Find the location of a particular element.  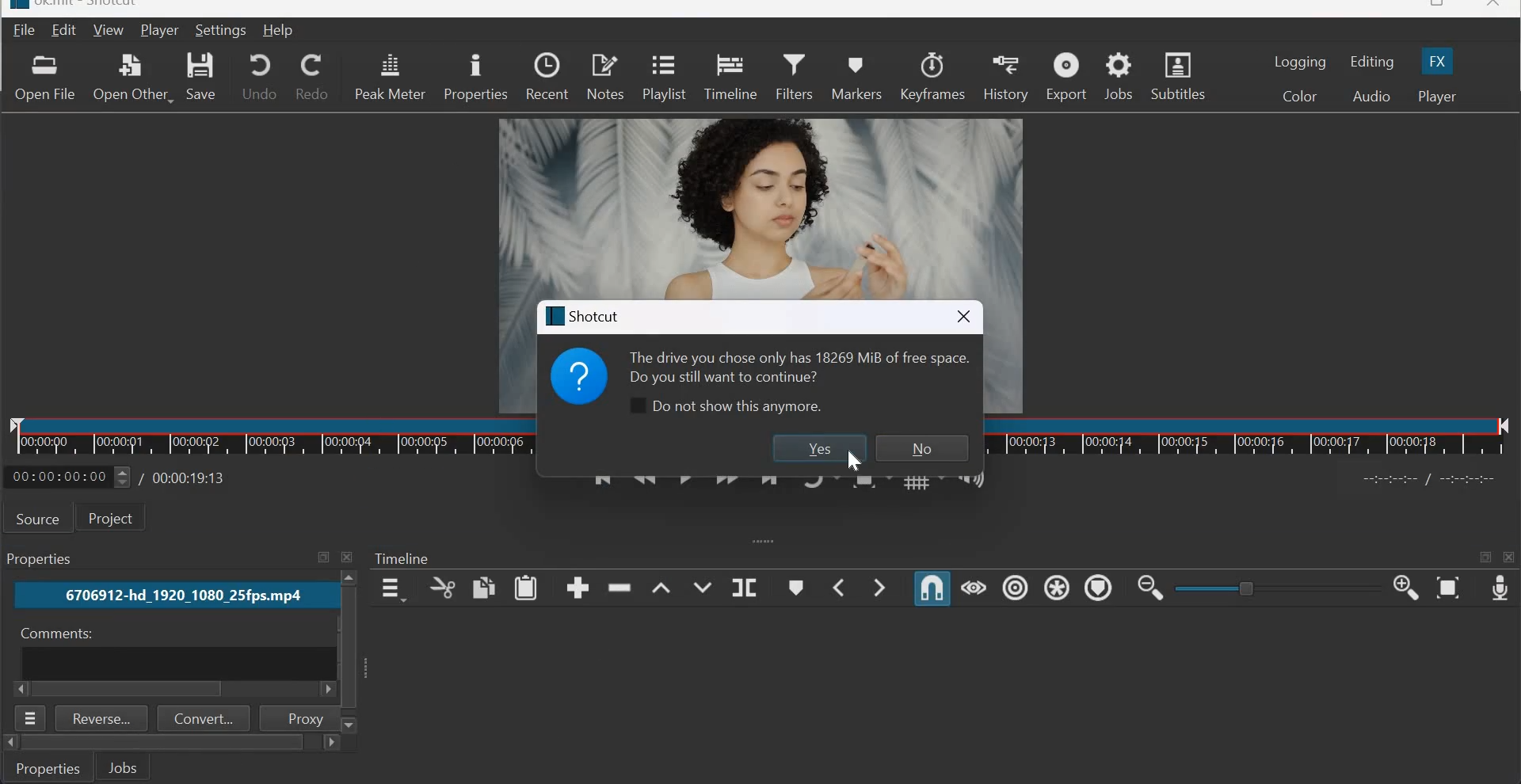

message is located at coordinates (796, 365).